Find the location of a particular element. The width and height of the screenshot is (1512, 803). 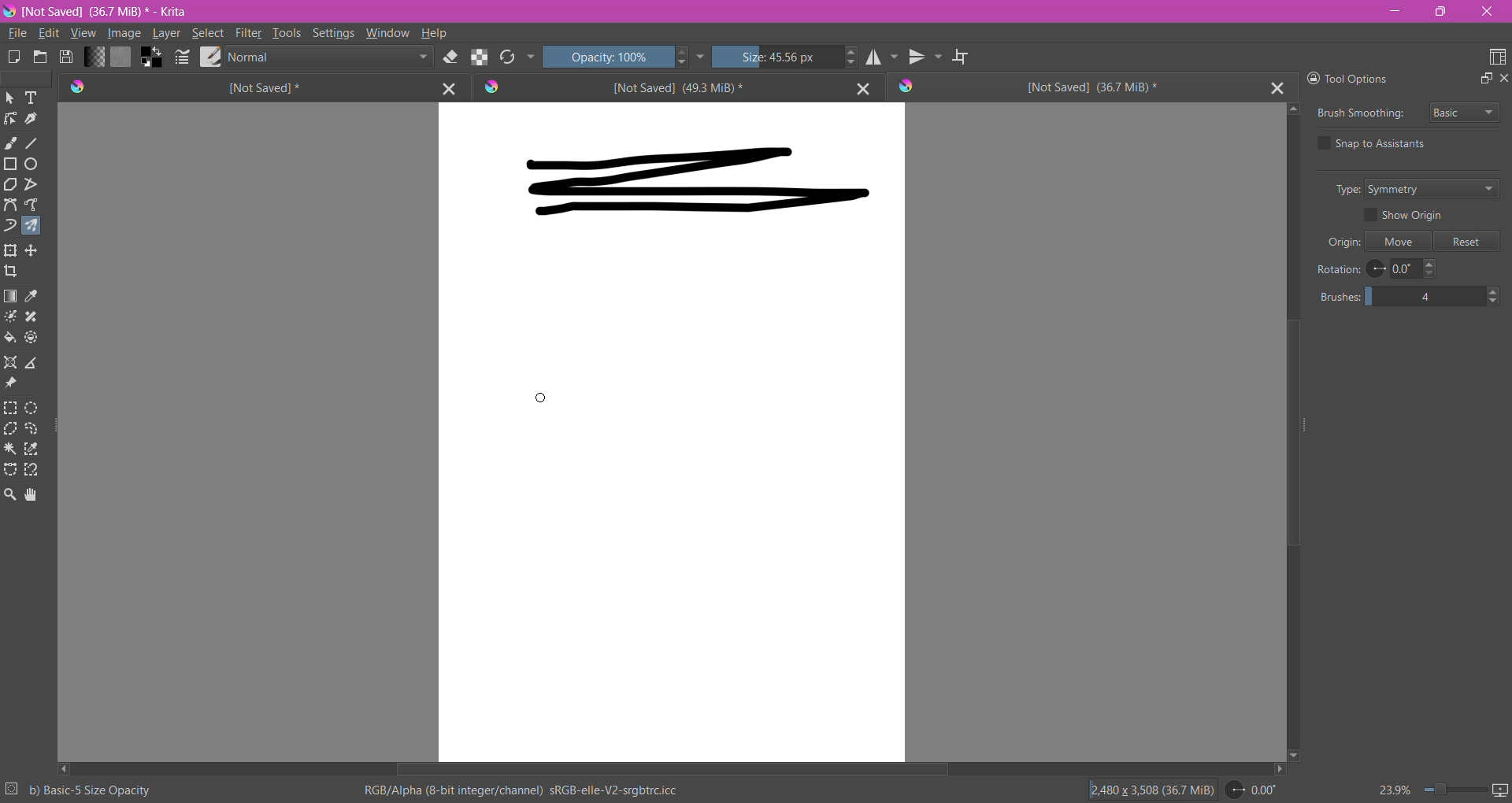

Zoom Tool is located at coordinates (11, 495).